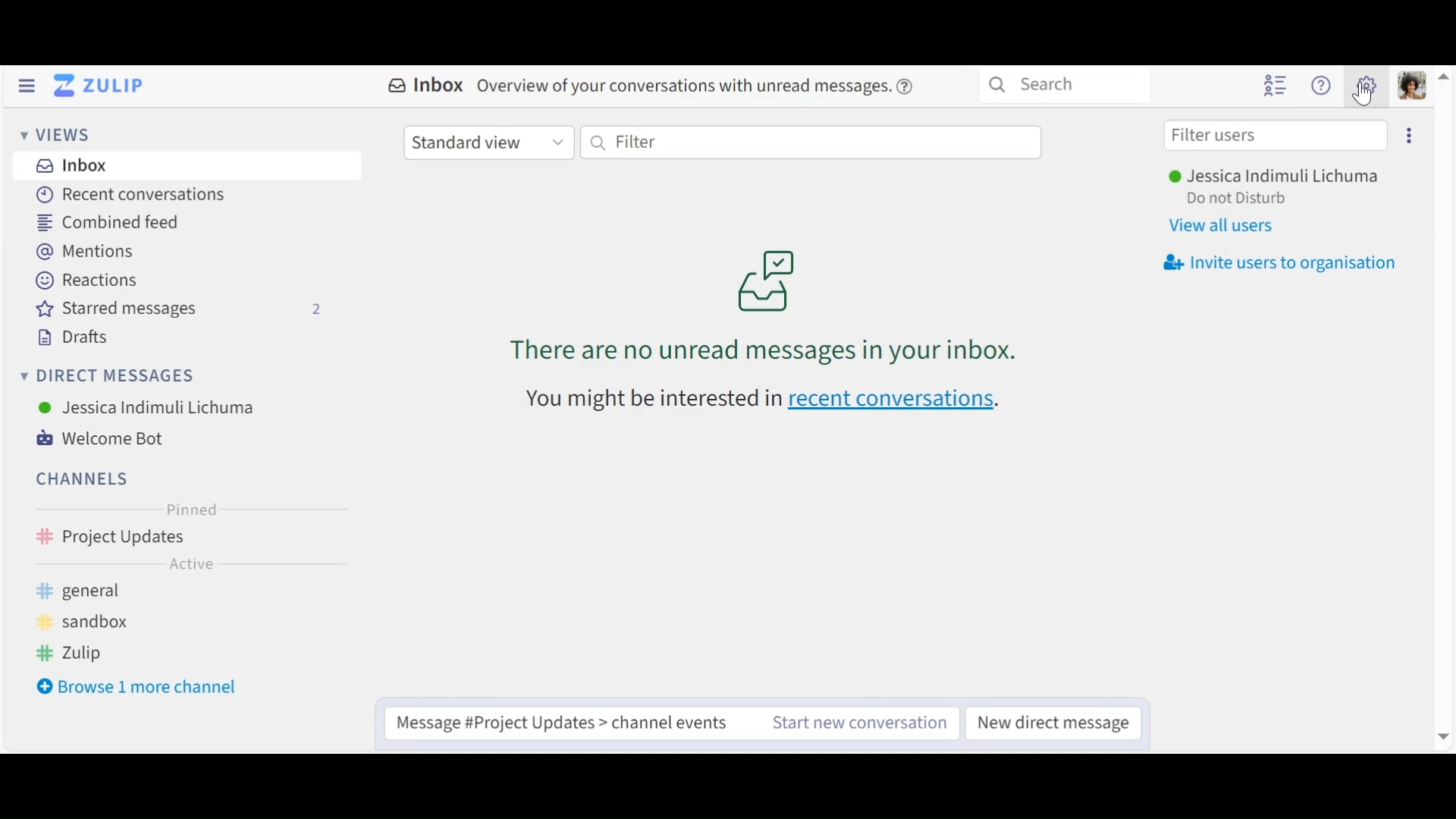 This screenshot has width=1456, height=819. I want to click on recent conversations, so click(767, 400).